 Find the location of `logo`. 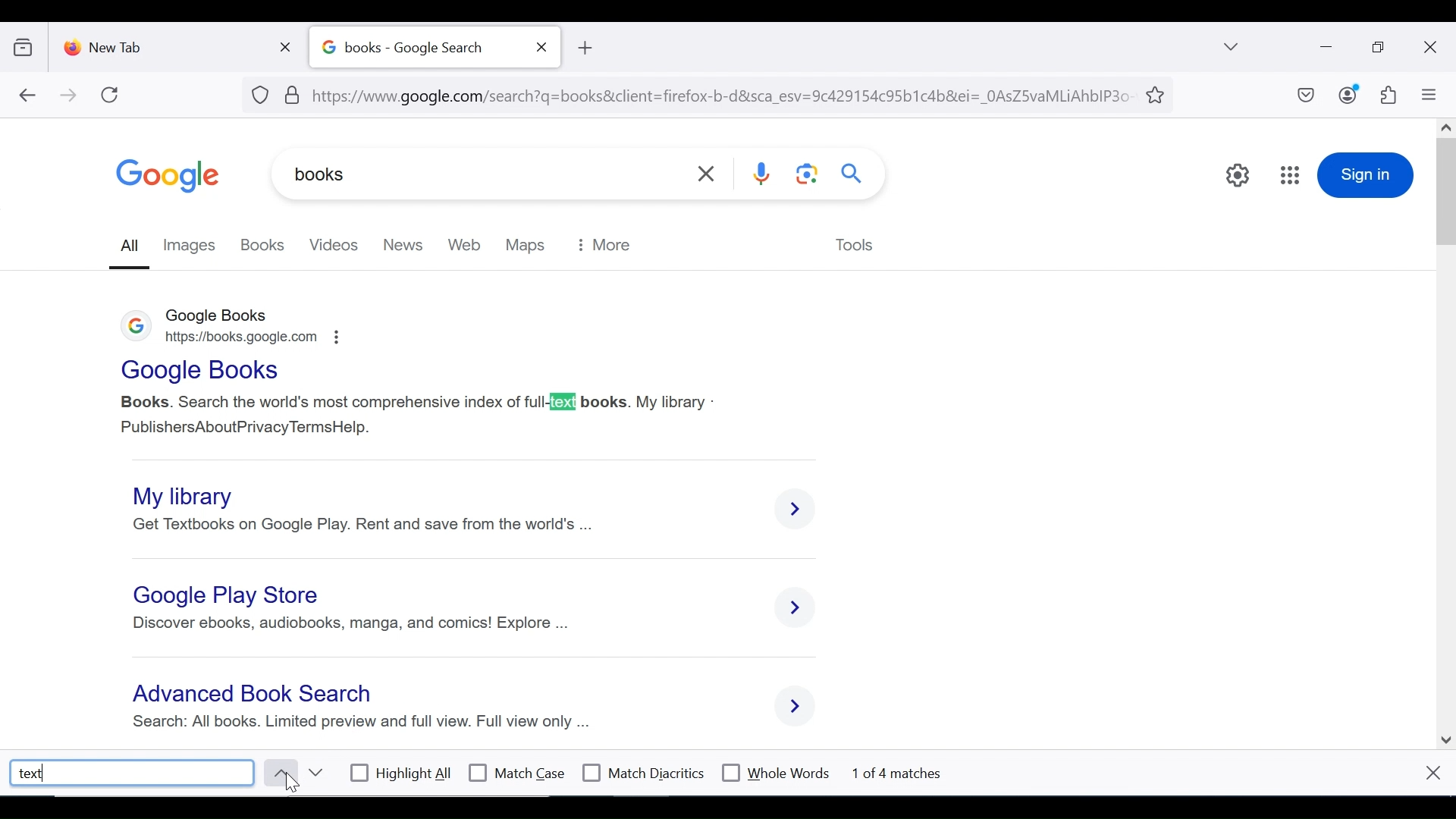

logo is located at coordinates (136, 329).